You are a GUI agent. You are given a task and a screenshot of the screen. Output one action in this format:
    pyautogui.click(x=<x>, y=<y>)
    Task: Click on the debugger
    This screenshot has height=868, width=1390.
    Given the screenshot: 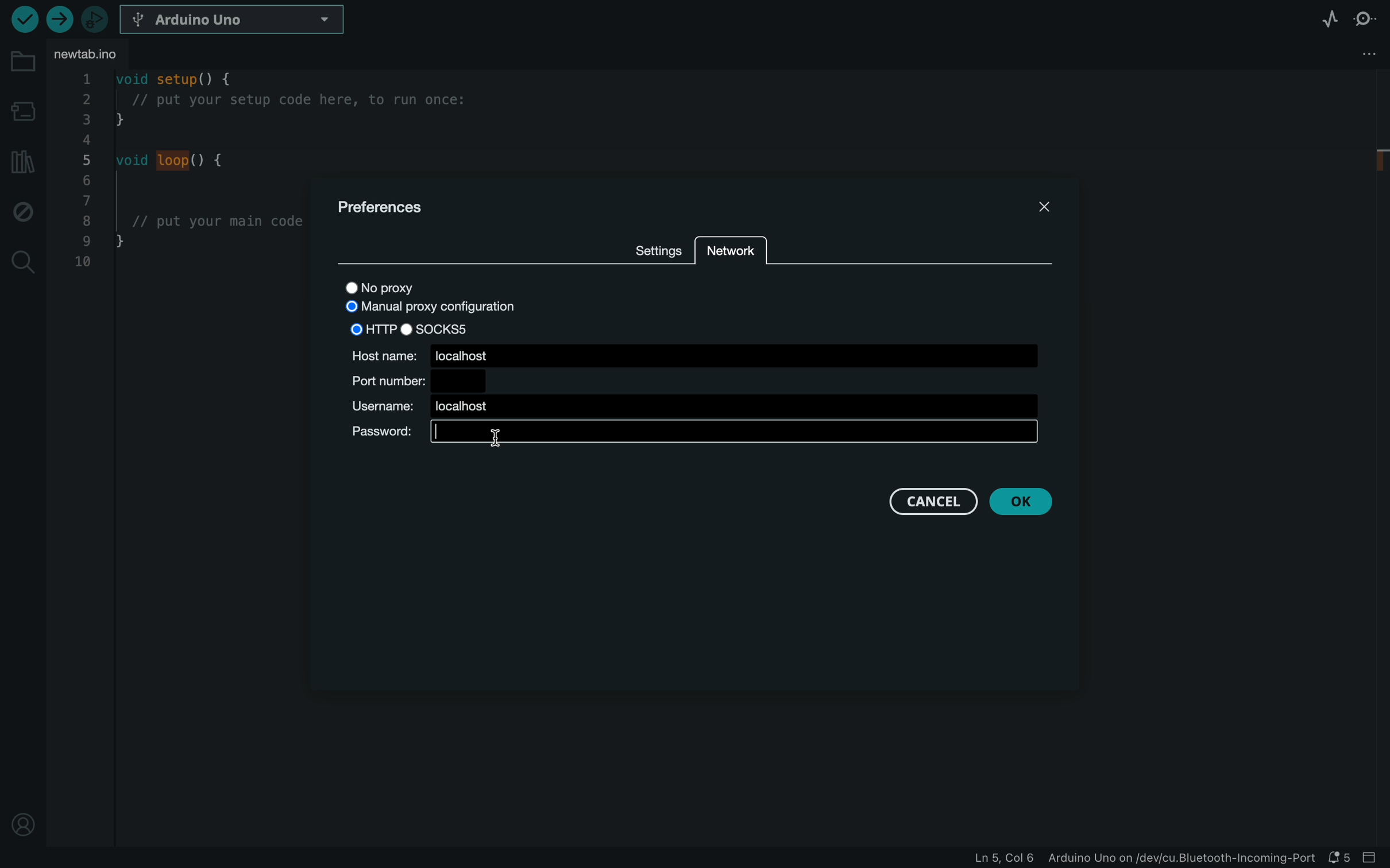 What is the action you would take?
    pyautogui.click(x=96, y=18)
    